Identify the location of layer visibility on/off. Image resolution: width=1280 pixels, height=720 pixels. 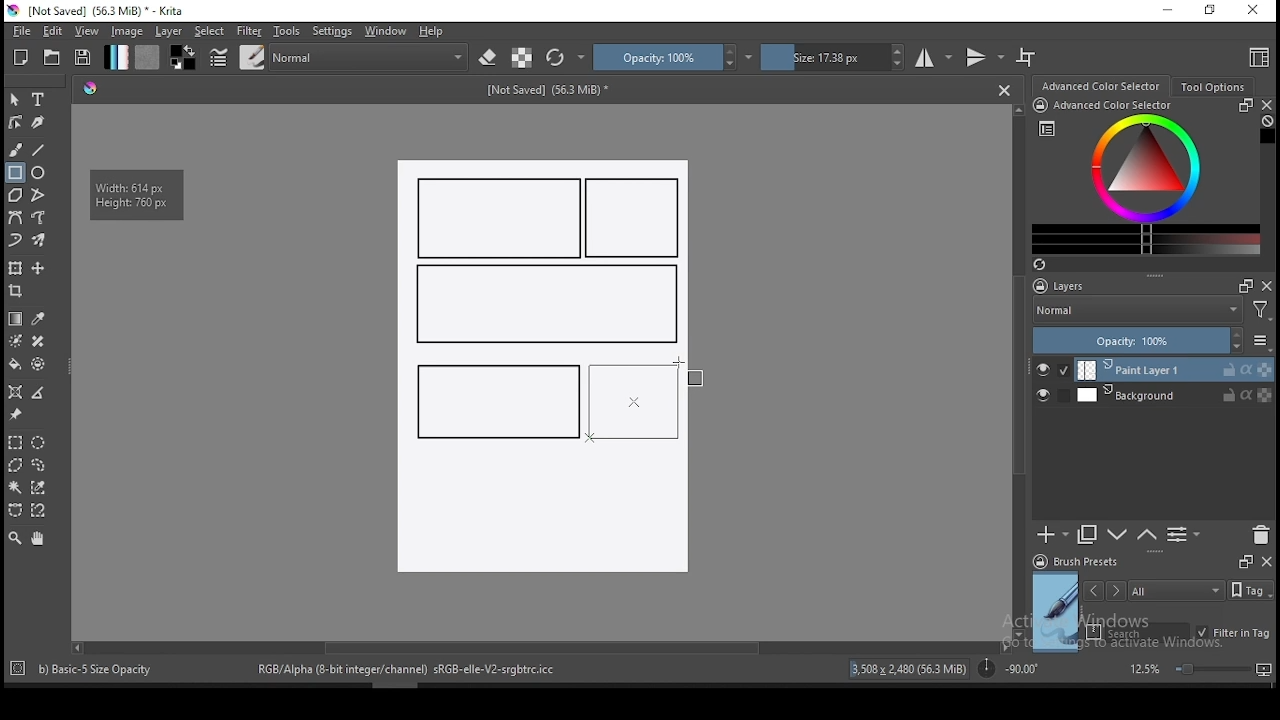
(1053, 370).